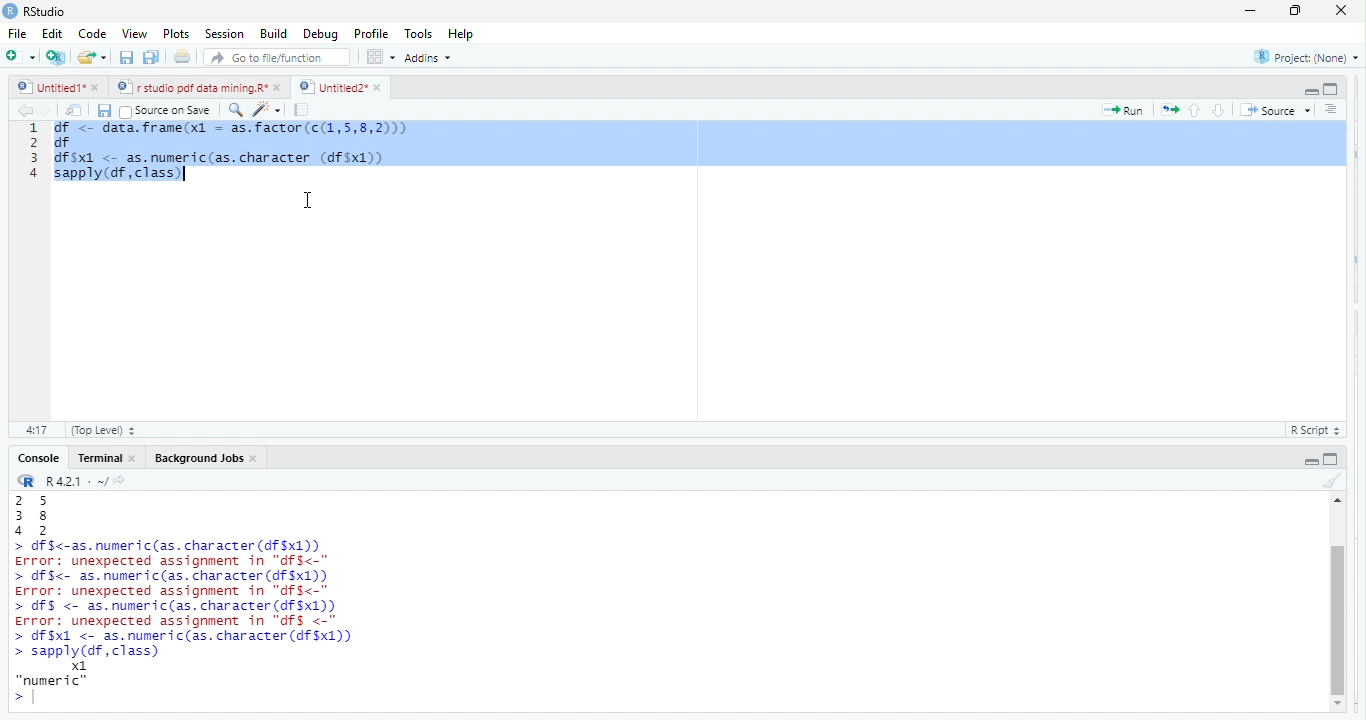  I want to click on Console, so click(41, 458).